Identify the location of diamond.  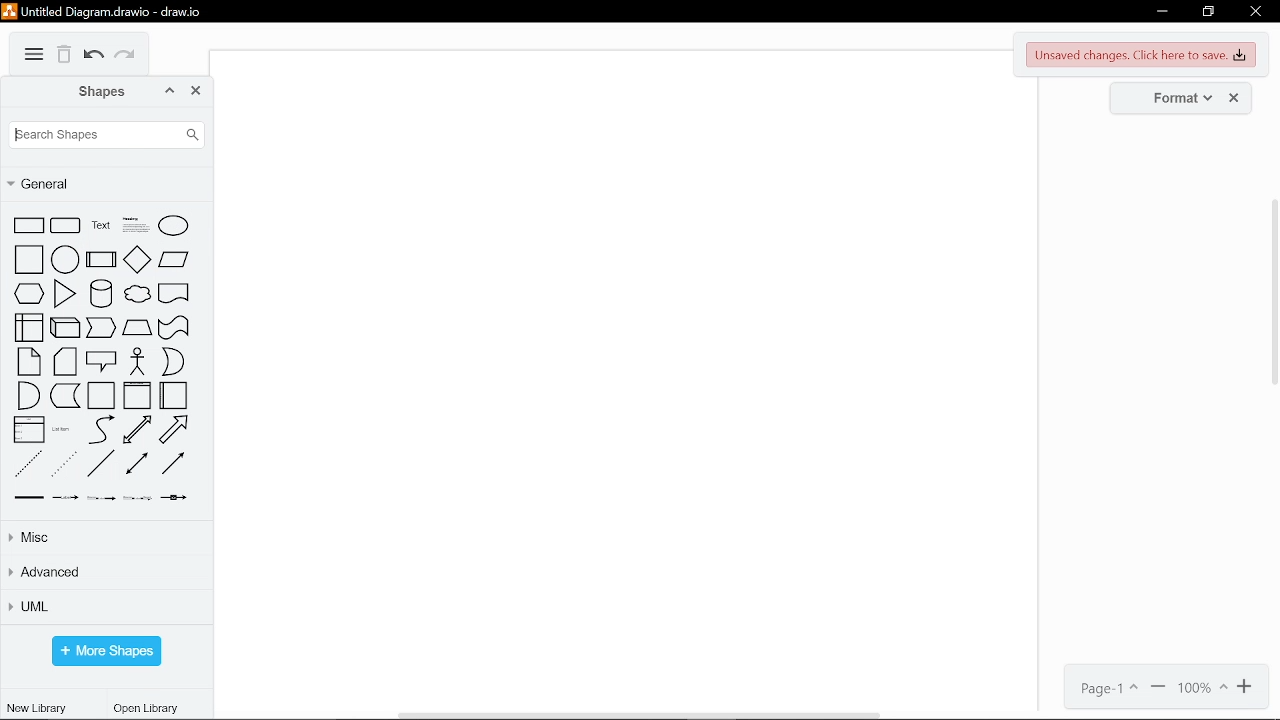
(136, 259).